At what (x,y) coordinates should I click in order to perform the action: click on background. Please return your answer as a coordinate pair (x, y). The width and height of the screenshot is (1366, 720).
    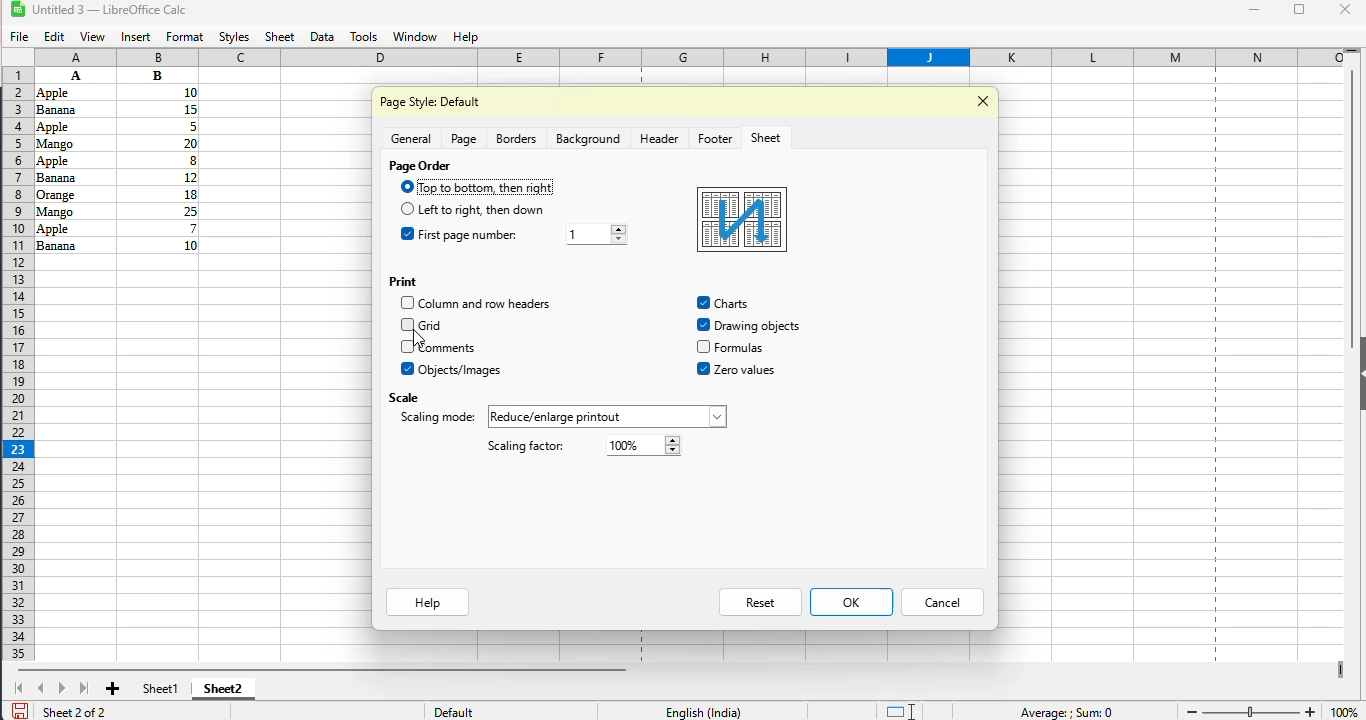
    Looking at the image, I should click on (587, 139).